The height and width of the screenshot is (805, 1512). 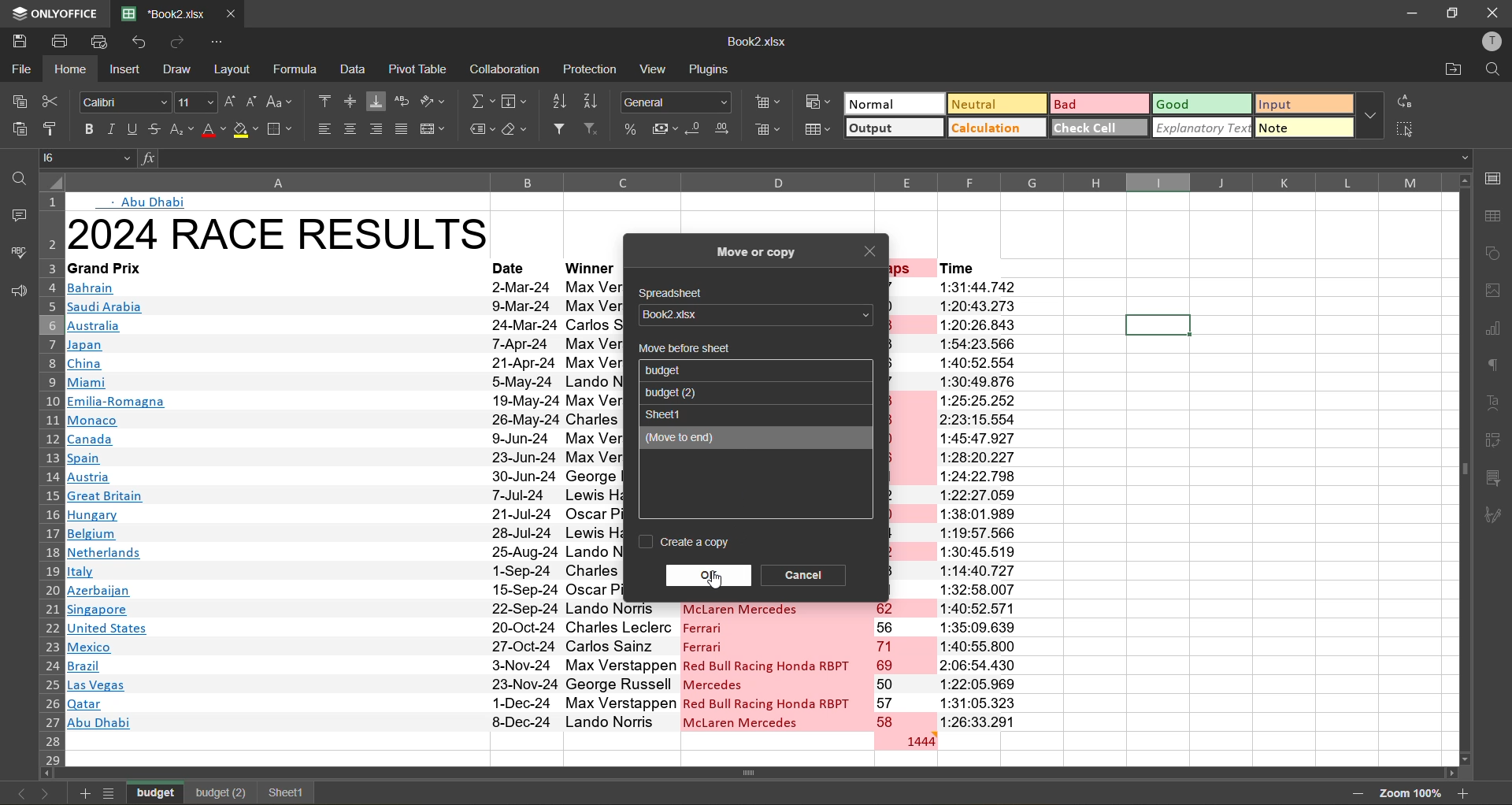 What do you see at coordinates (110, 130) in the screenshot?
I see `italic` at bounding box center [110, 130].